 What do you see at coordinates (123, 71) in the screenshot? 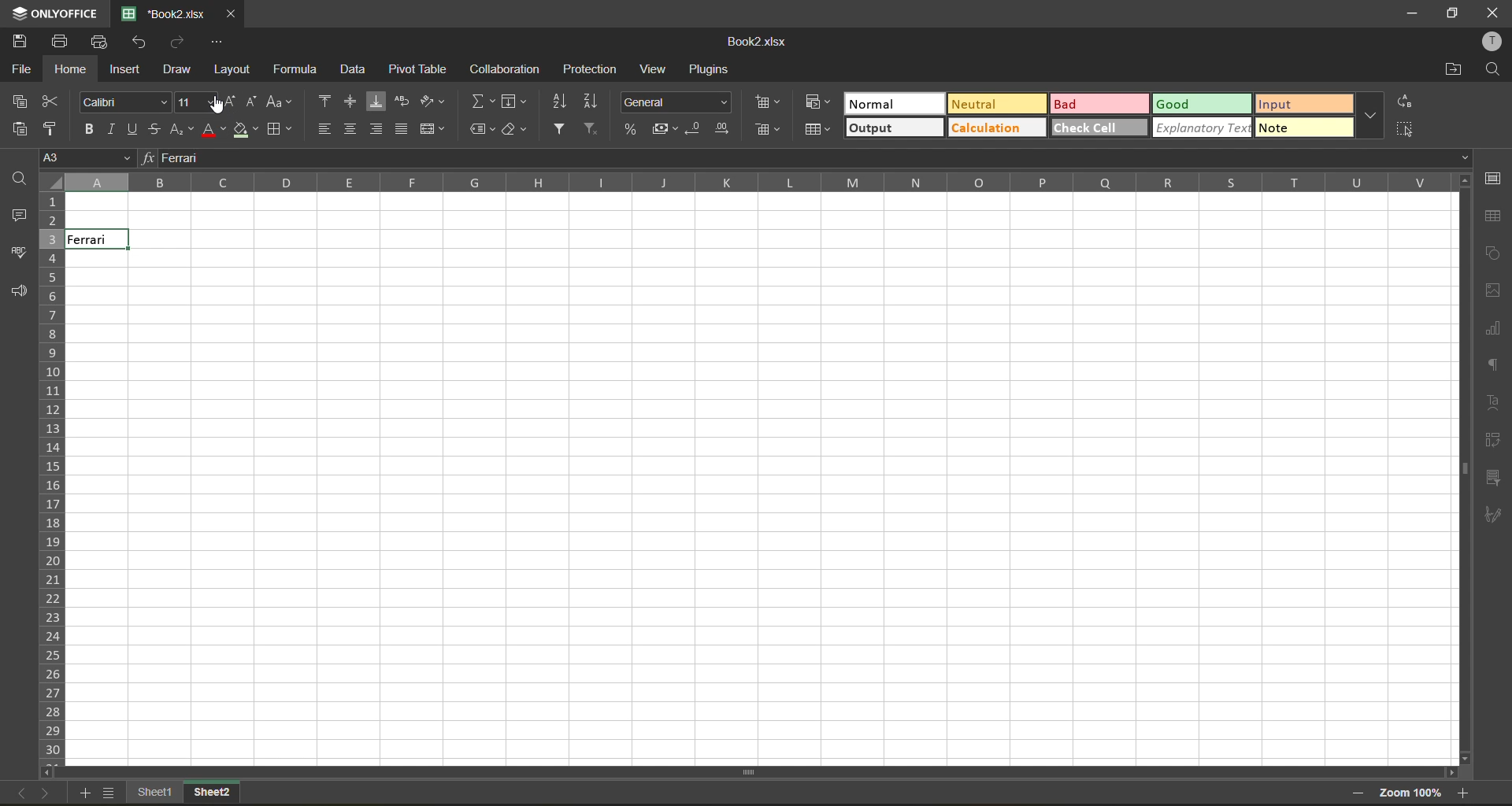
I see `insert` at bounding box center [123, 71].